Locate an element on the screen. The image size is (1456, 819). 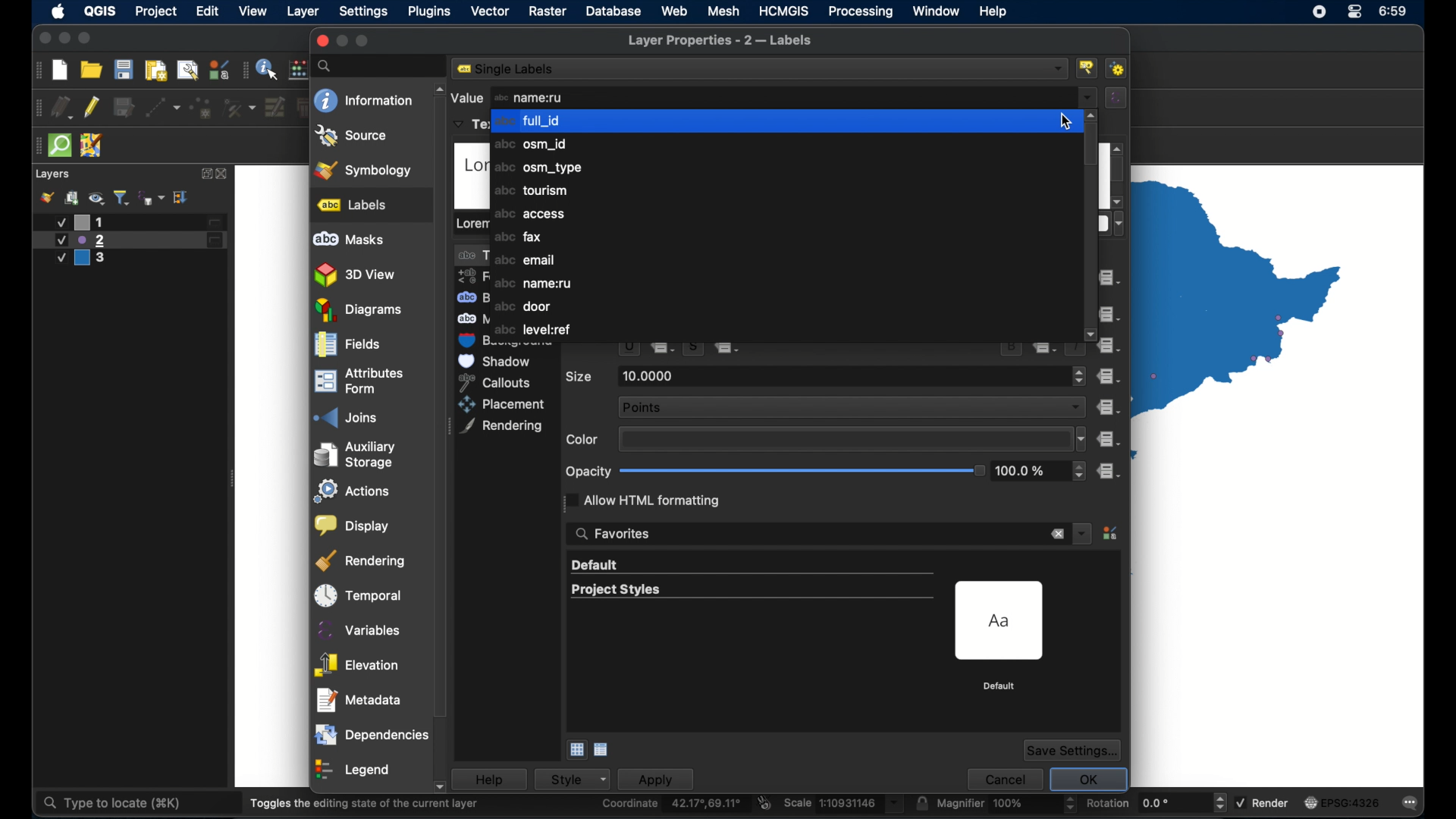
close is located at coordinates (42, 39).